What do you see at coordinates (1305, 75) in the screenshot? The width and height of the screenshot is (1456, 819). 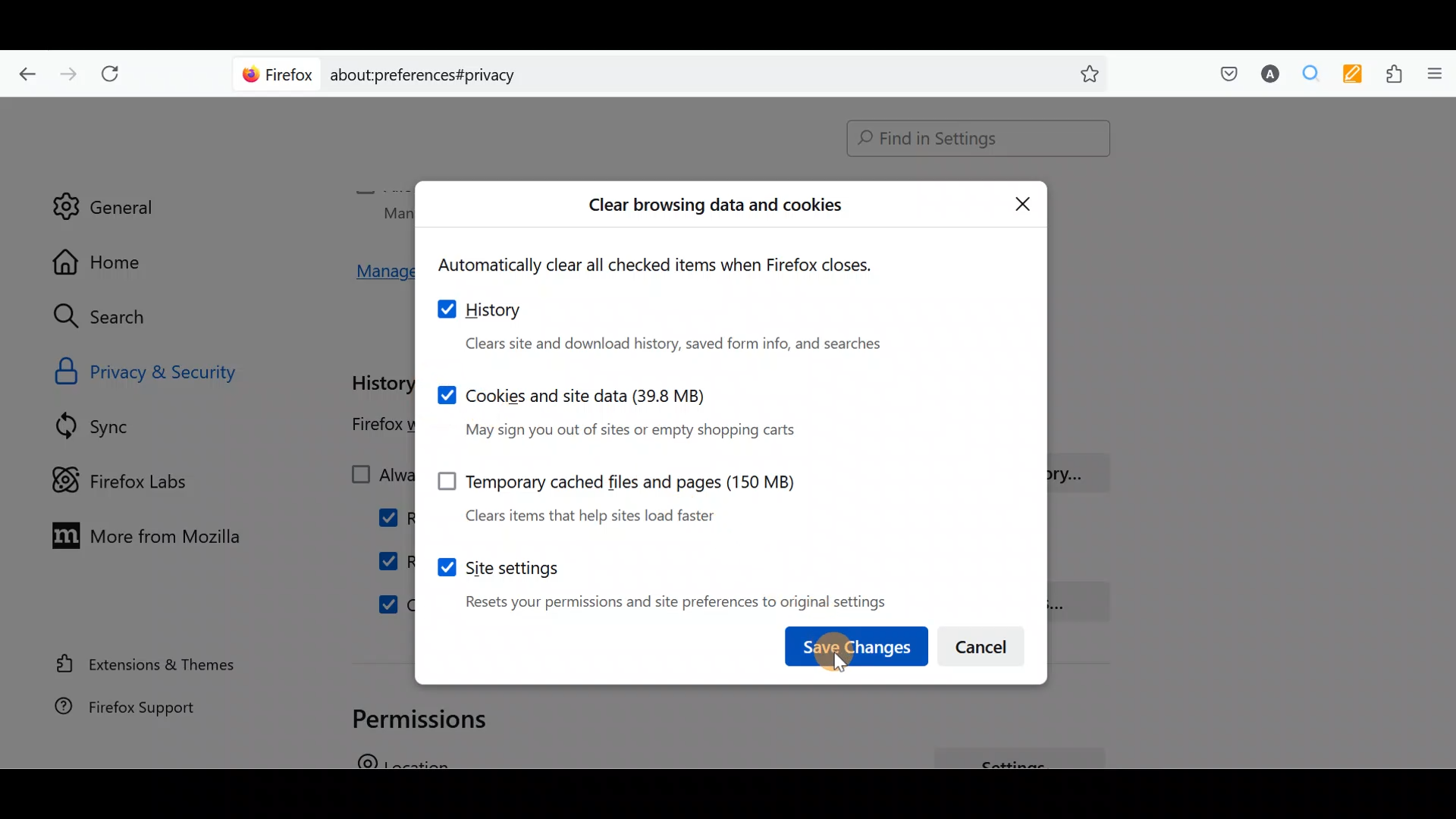 I see `Multiple search & highlight` at bounding box center [1305, 75].